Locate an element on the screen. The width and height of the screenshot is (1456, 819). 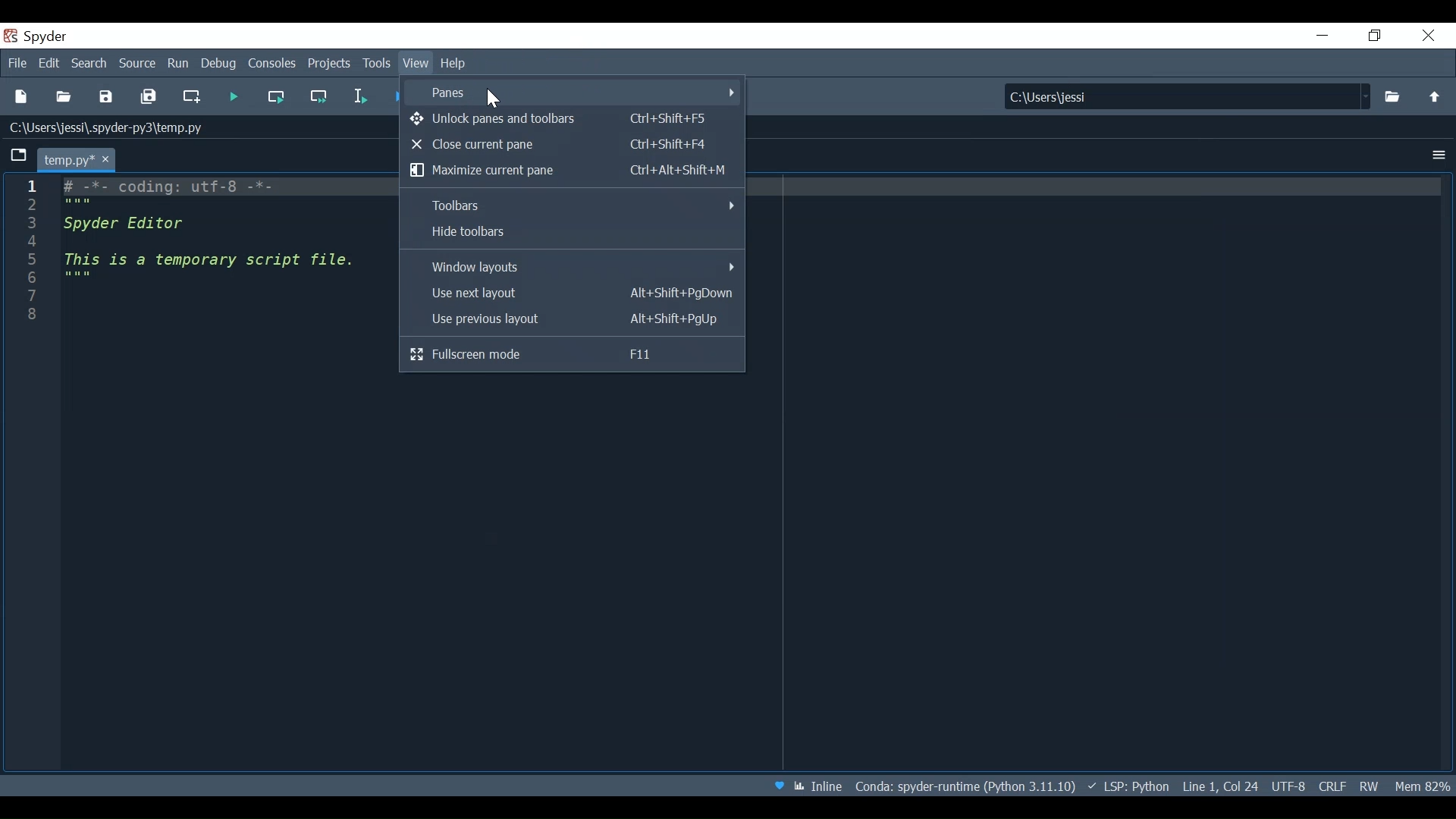
Run selection or current line is located at coordinates (359, 96).